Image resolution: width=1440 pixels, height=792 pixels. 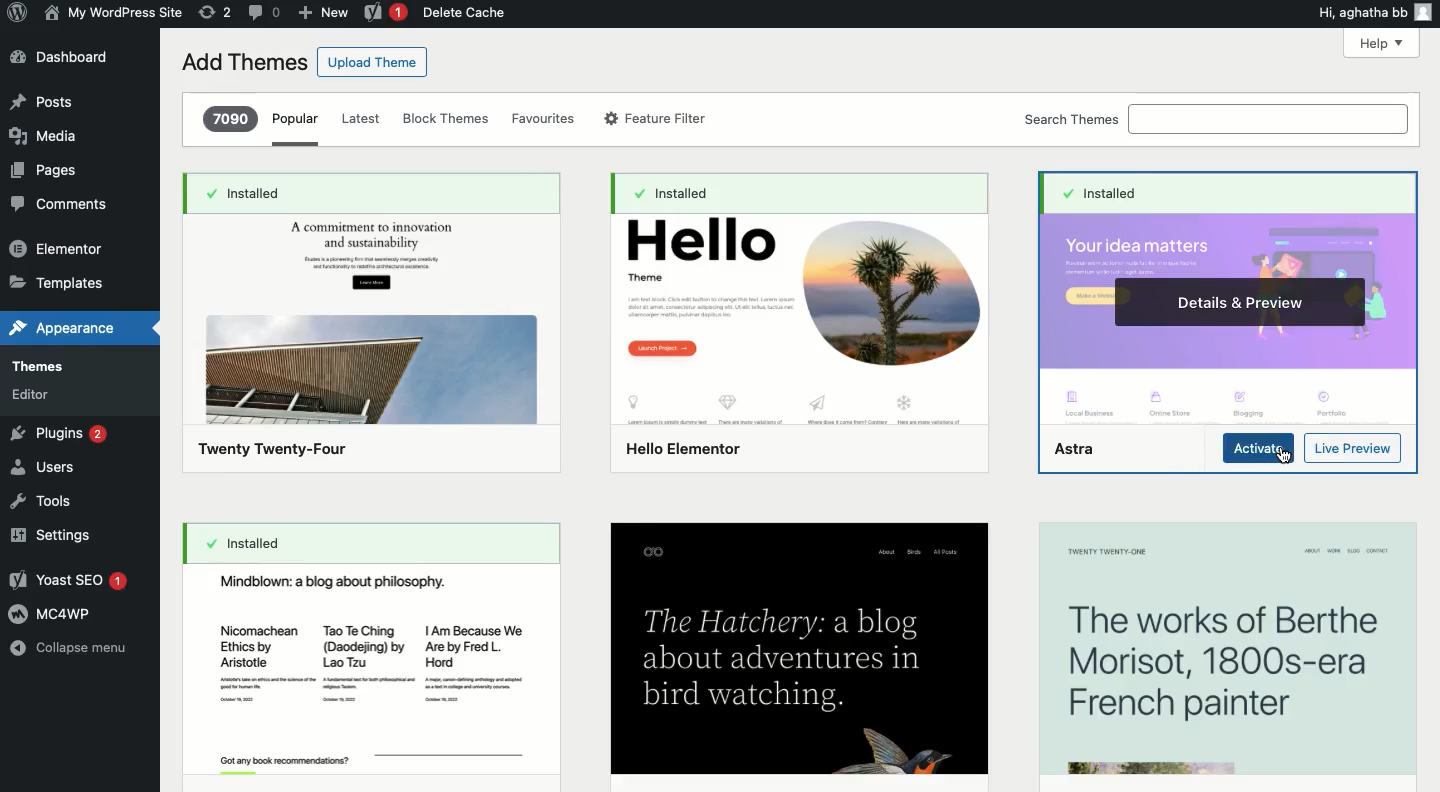 What do you see at coordinates (62, 325) in the screenshot?
I see `Appearance` at bounding box center [62, 325].